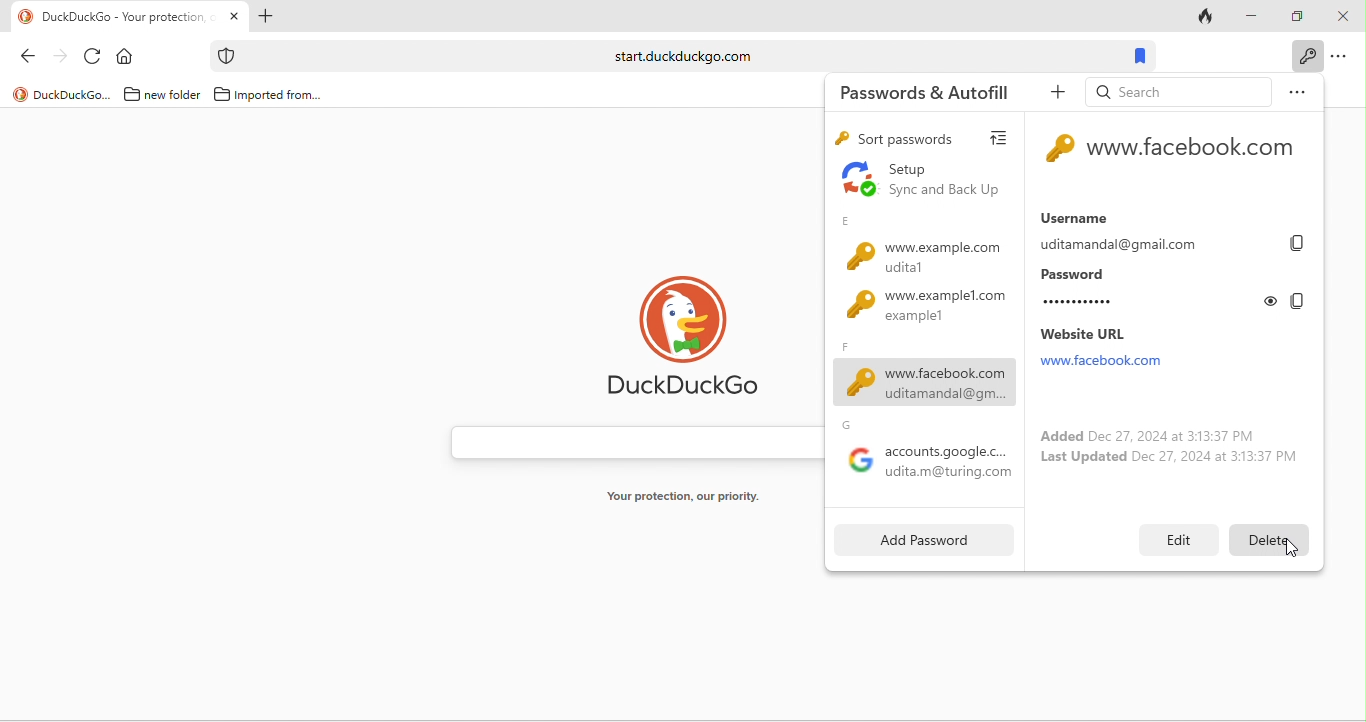  What do you see at coordinates (921, 375) in the screenshot?
I see `www.facebook.com` at bounding box center [921, 375].